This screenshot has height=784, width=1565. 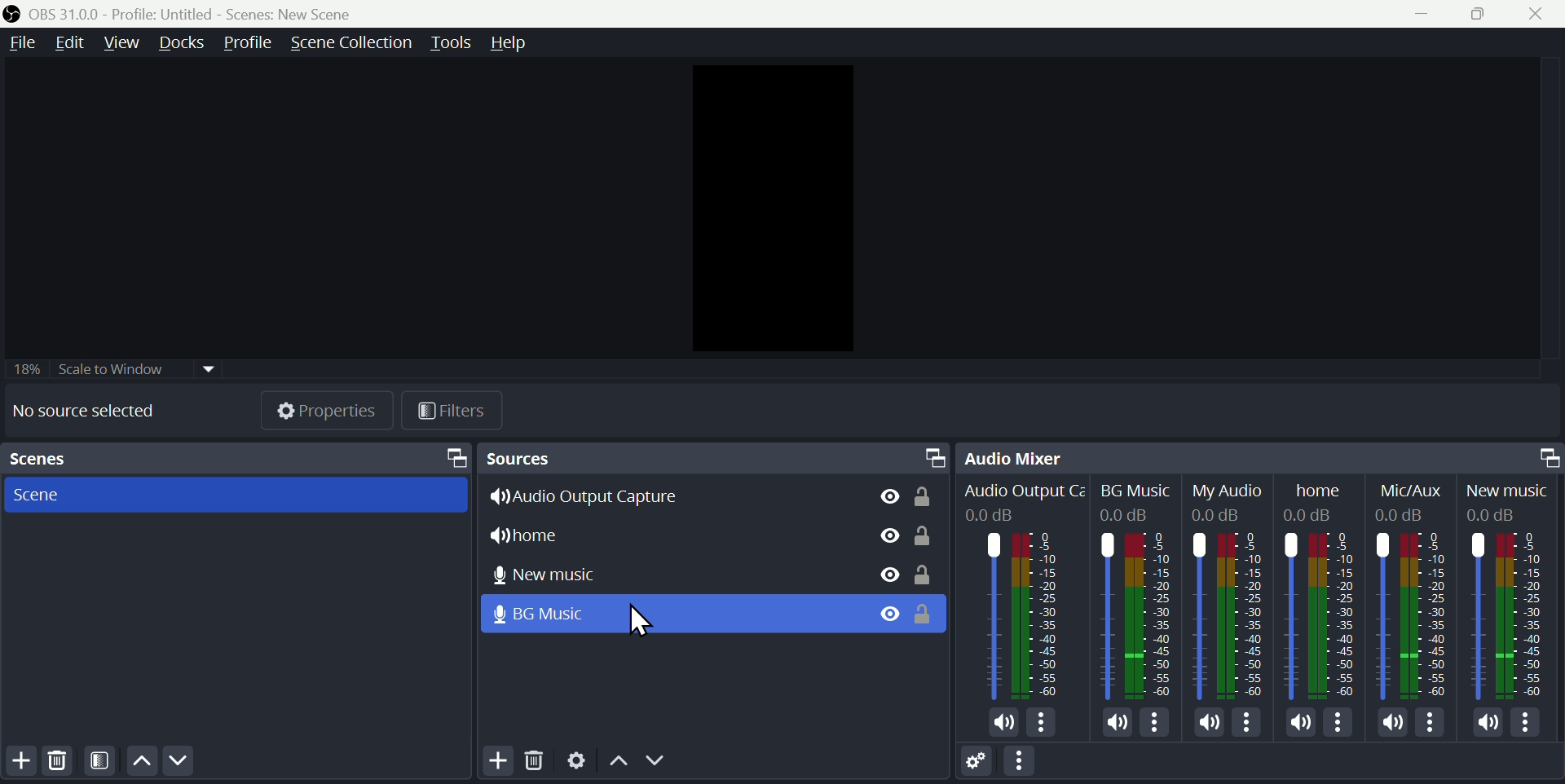 I want to click on Tools, so click(x=457, y=40).